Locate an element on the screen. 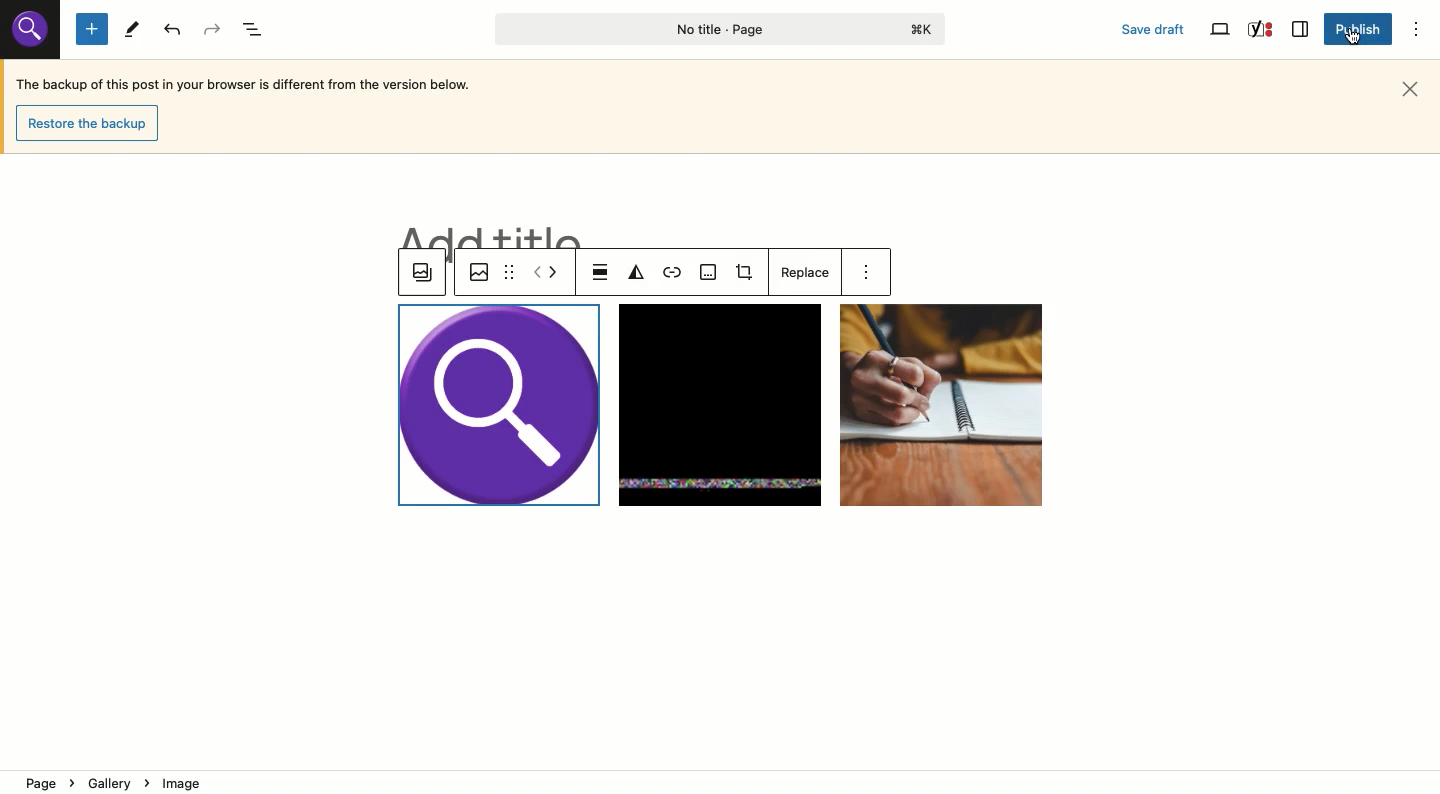 Image resolution: width=1440 pixels, height=794 pixels. Gallery is located at coordinates (423, 274).